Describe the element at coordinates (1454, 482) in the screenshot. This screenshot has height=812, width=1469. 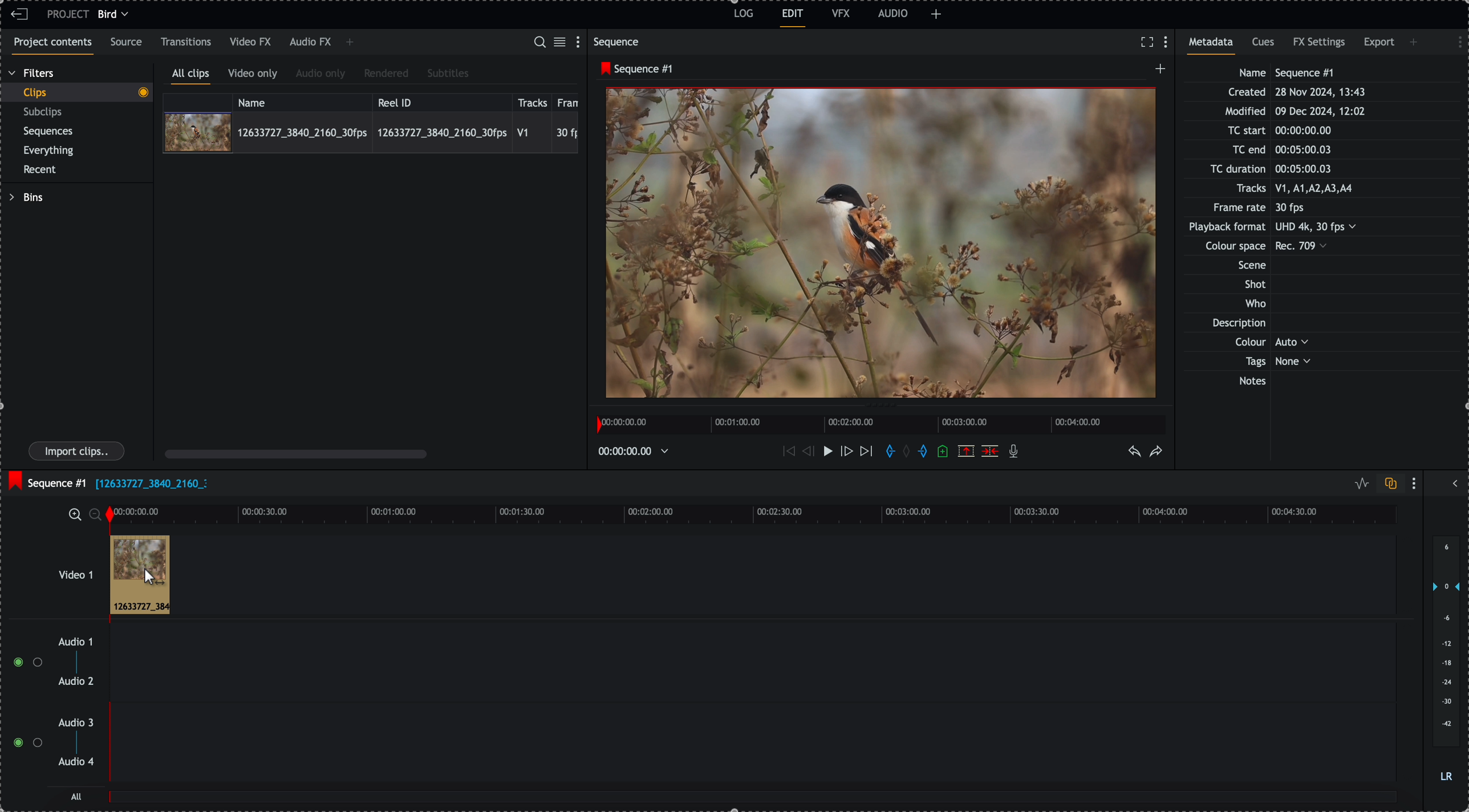
I see `show/hide full audio mix` at that location.